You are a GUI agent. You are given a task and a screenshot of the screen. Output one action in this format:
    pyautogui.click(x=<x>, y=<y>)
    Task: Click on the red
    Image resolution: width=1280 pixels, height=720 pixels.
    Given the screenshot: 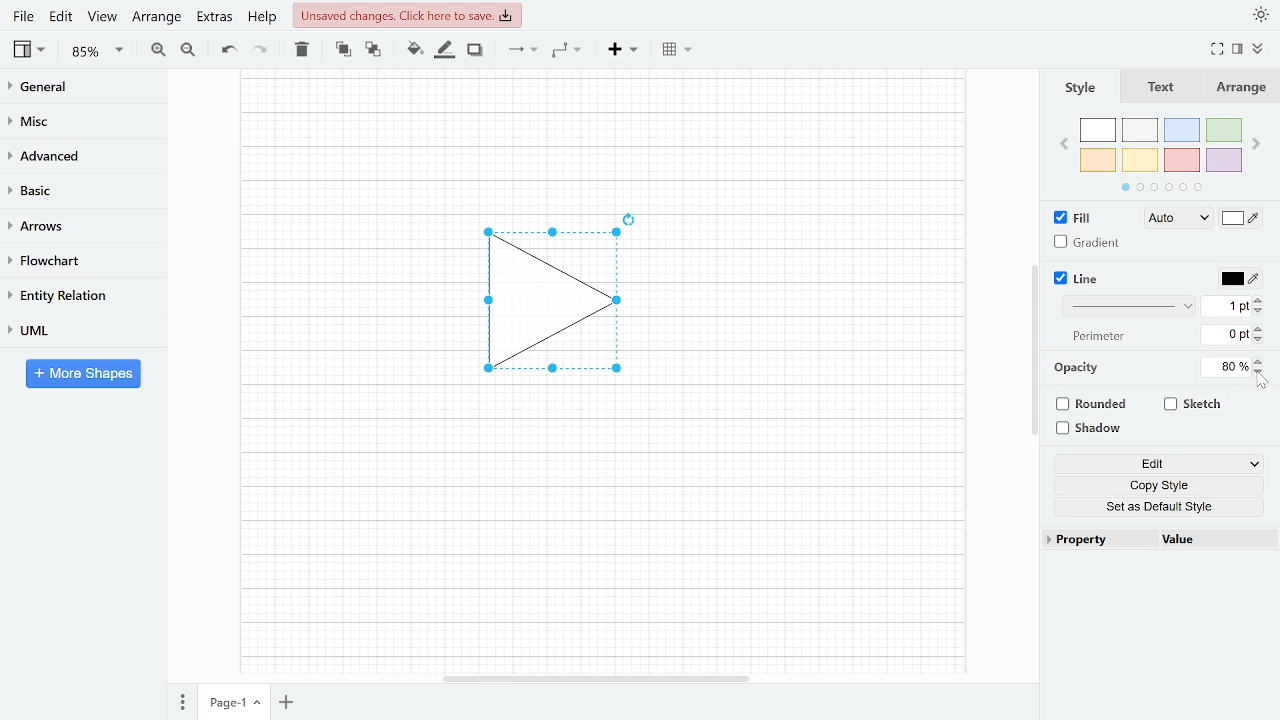 What is the action you would take?
    pyautogui.click(x=1182, y=161)
    